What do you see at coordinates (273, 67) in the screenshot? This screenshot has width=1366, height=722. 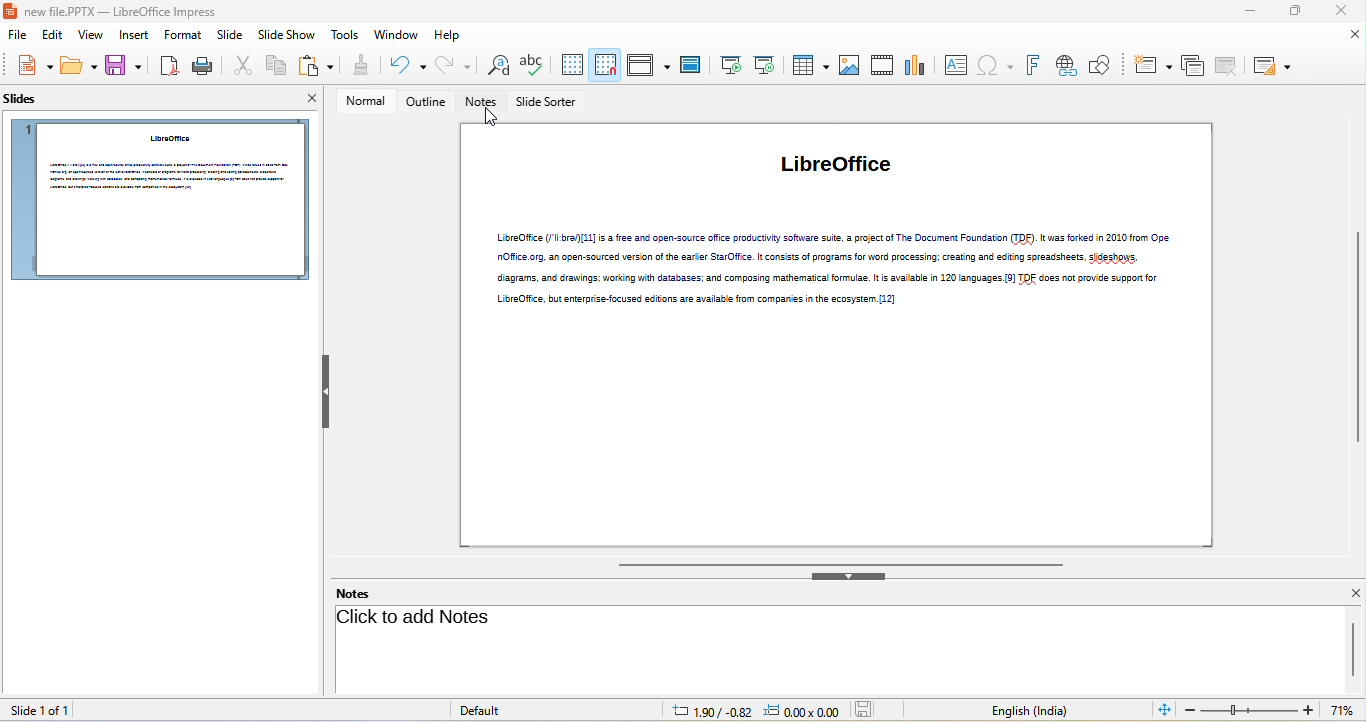 I see `copy` at bounding box center [273, 67].